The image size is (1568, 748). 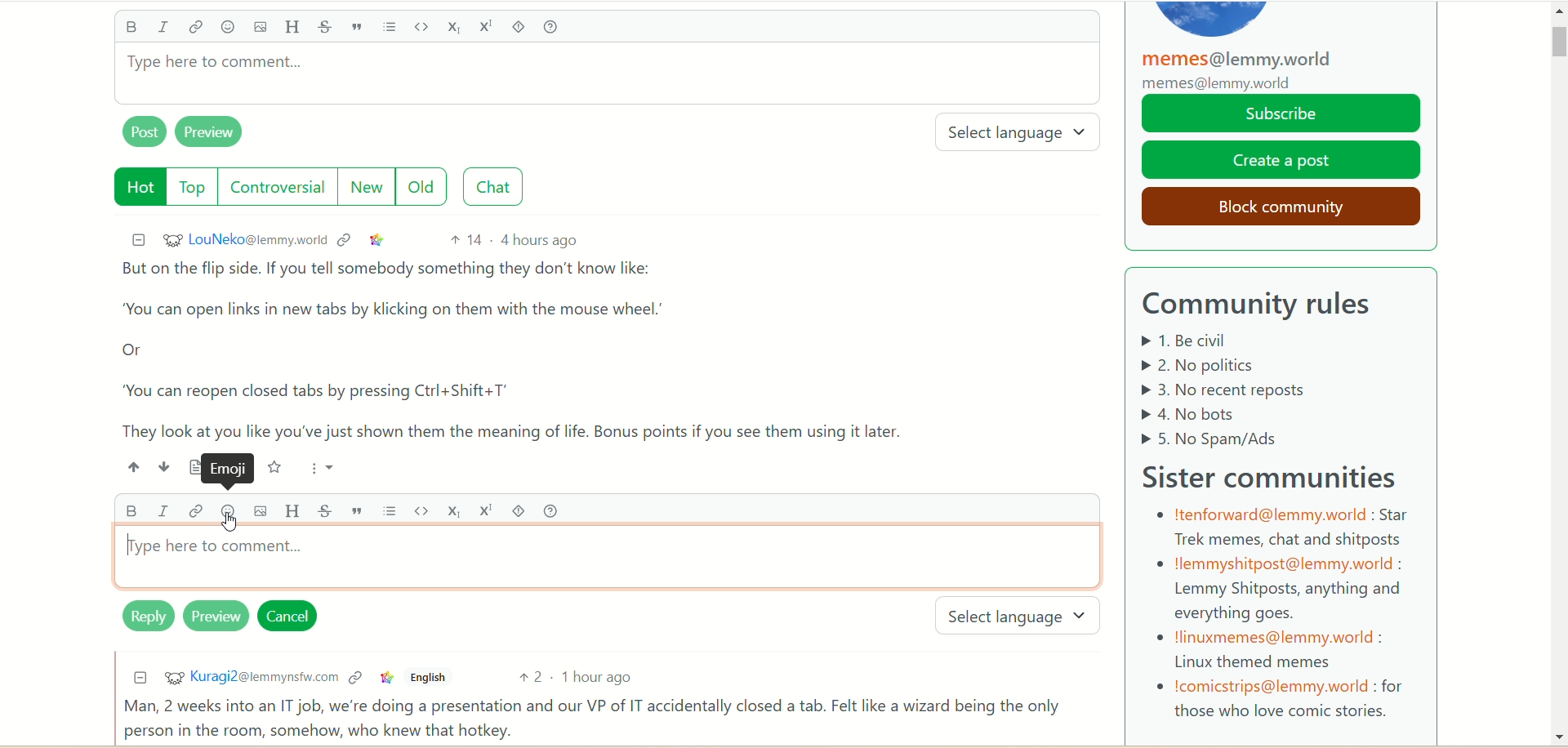 What do you see at coordinates (159, 466) in the screenshot?
I see `downvote` at bounding box center [159, 466].